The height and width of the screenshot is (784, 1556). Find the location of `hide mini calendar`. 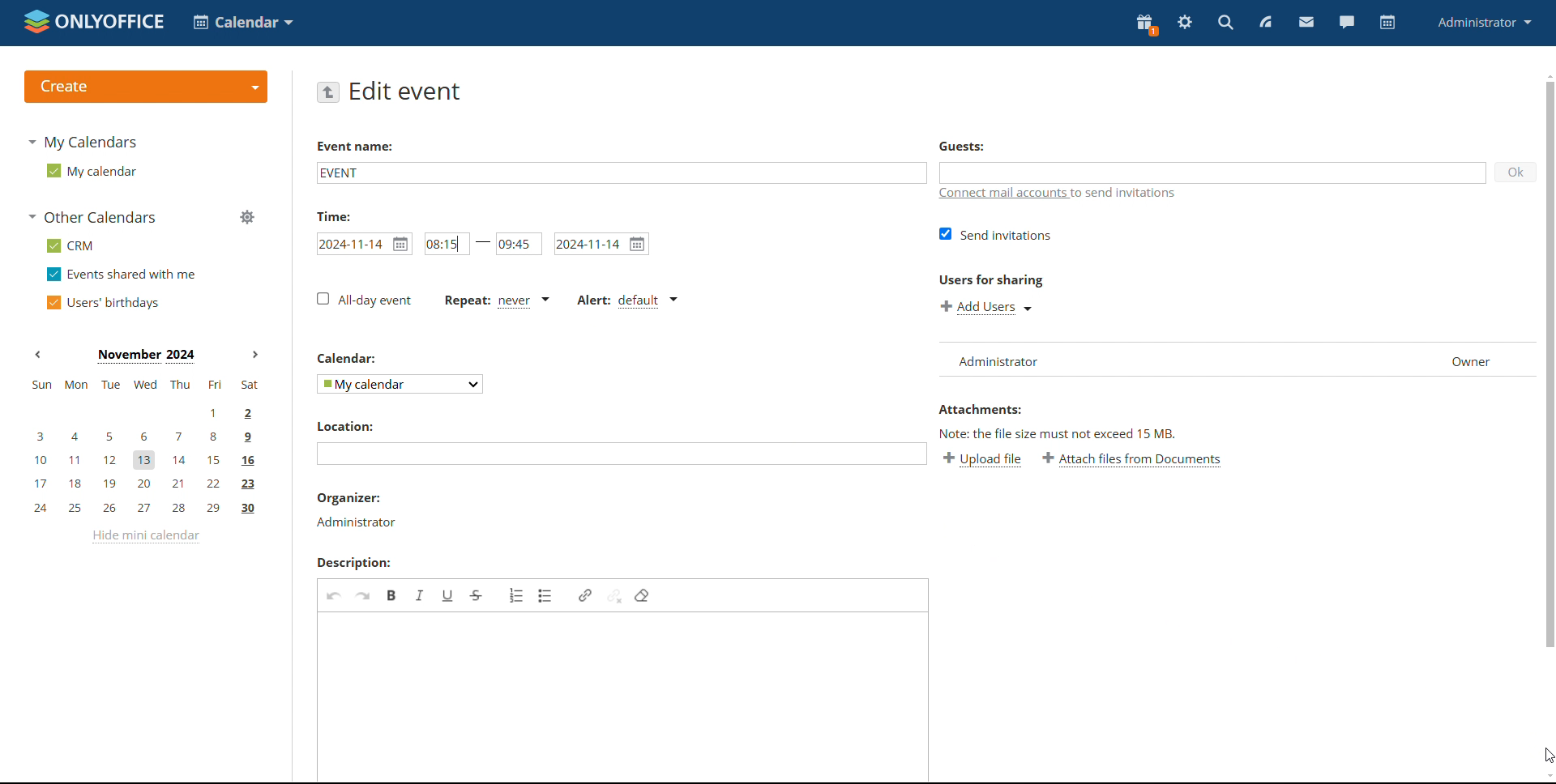

hide mini calendar is located at coordinates (144, 537).